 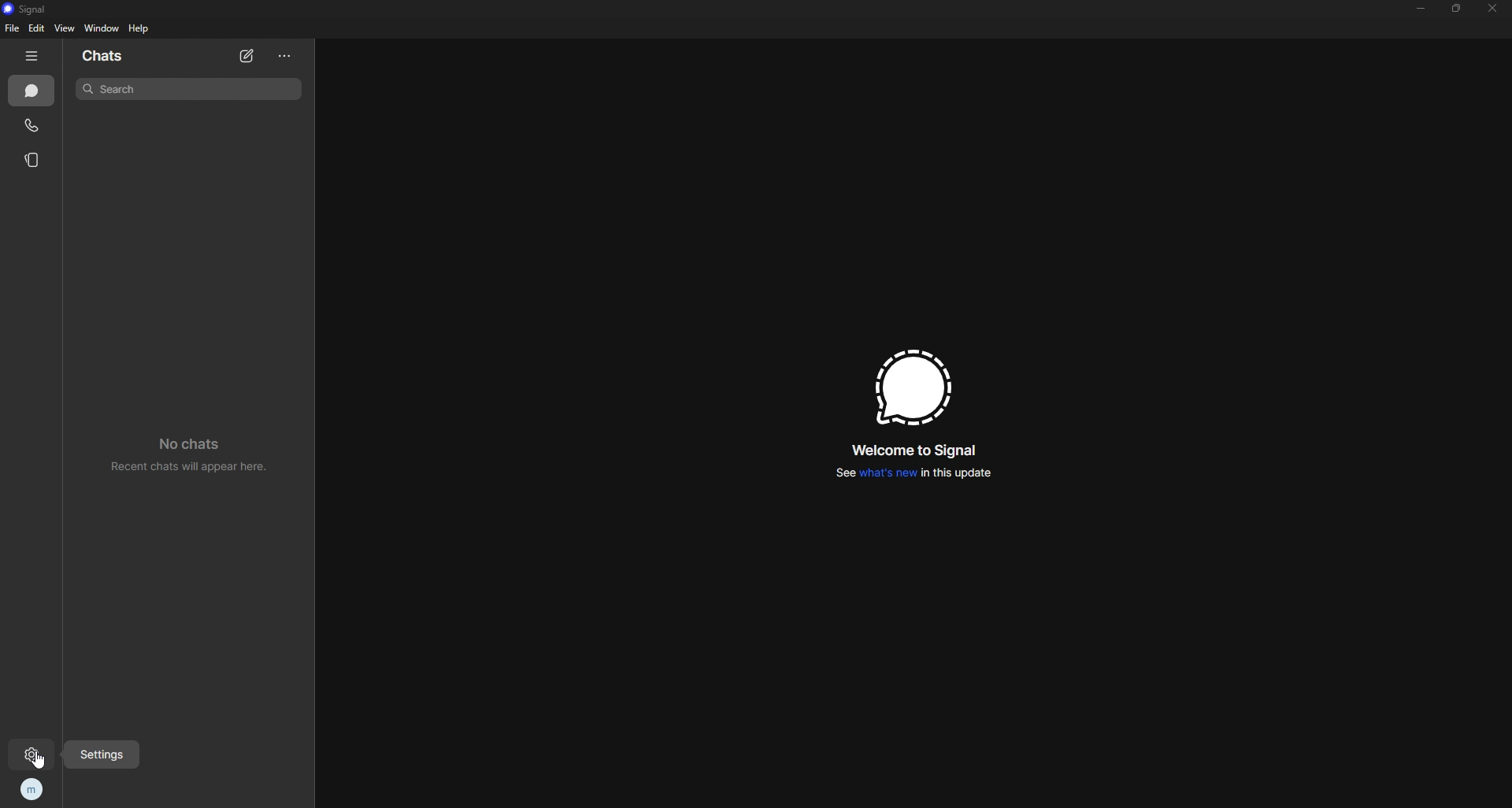 I want to click on stories, so click(x=34, y=161).